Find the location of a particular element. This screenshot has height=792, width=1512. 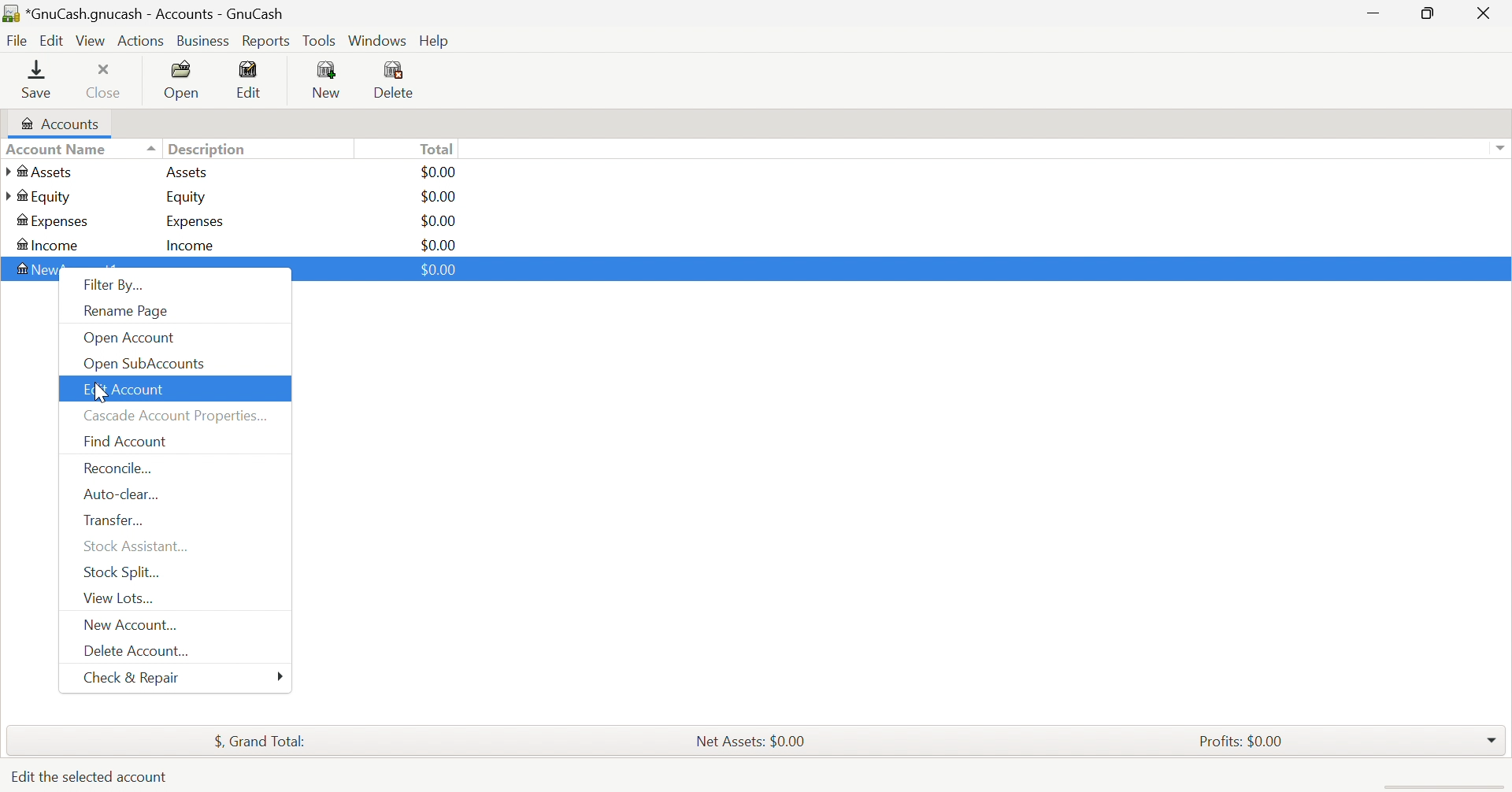

Stock Assistant... is located at coordinates (138, 546).